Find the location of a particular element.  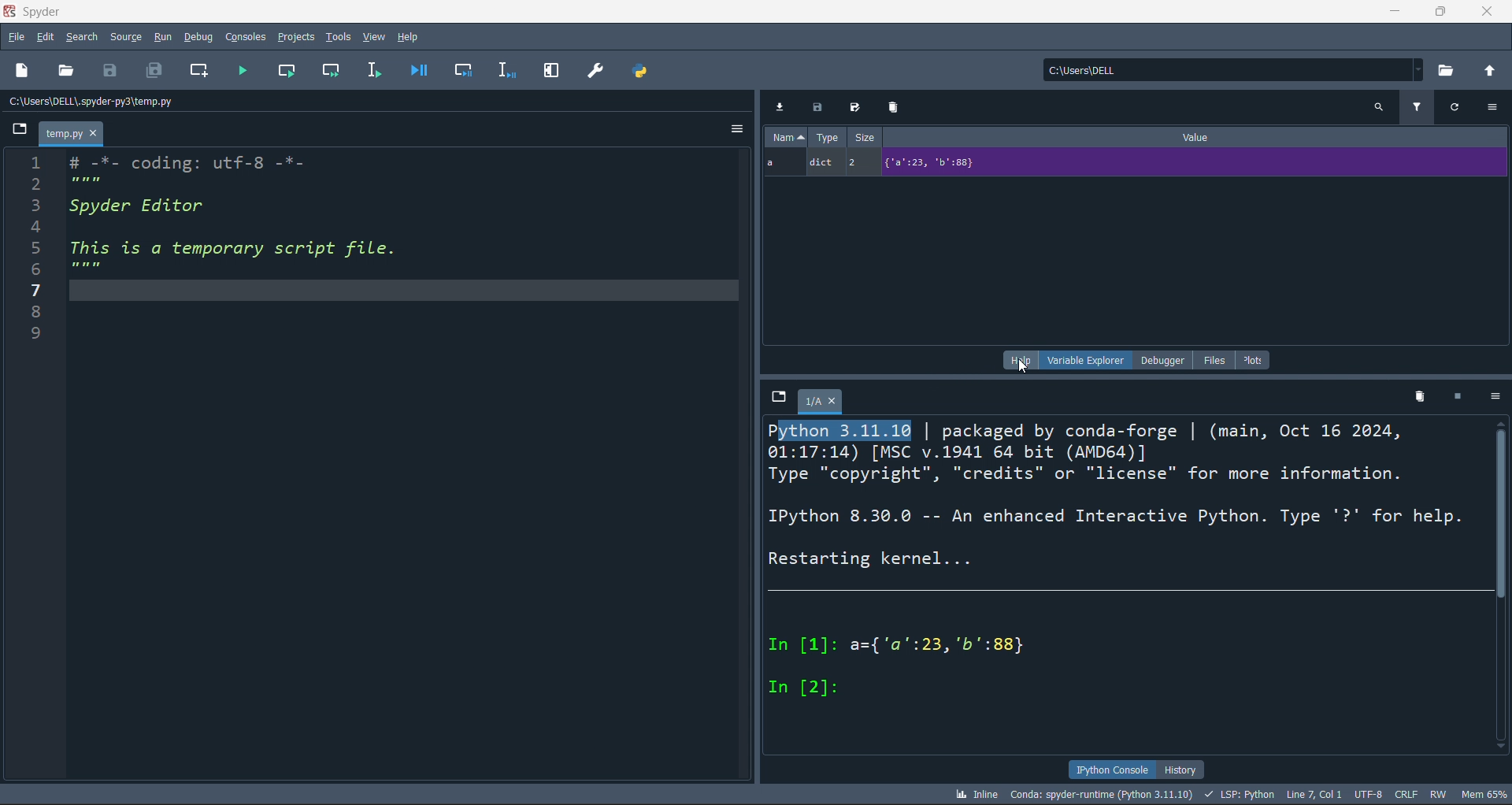

filter is located at coordinates (1417, 111).